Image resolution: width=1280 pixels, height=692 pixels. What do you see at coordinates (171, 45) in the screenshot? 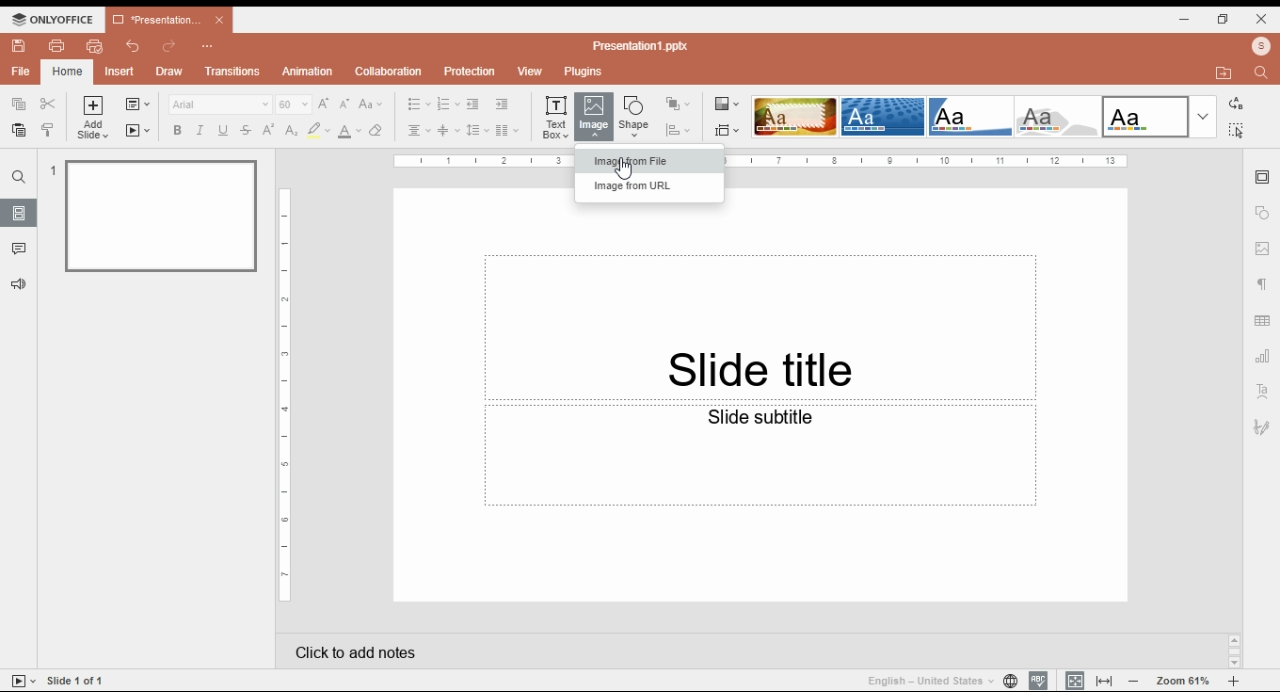
I see `redo` at bounding box center [171, 45].